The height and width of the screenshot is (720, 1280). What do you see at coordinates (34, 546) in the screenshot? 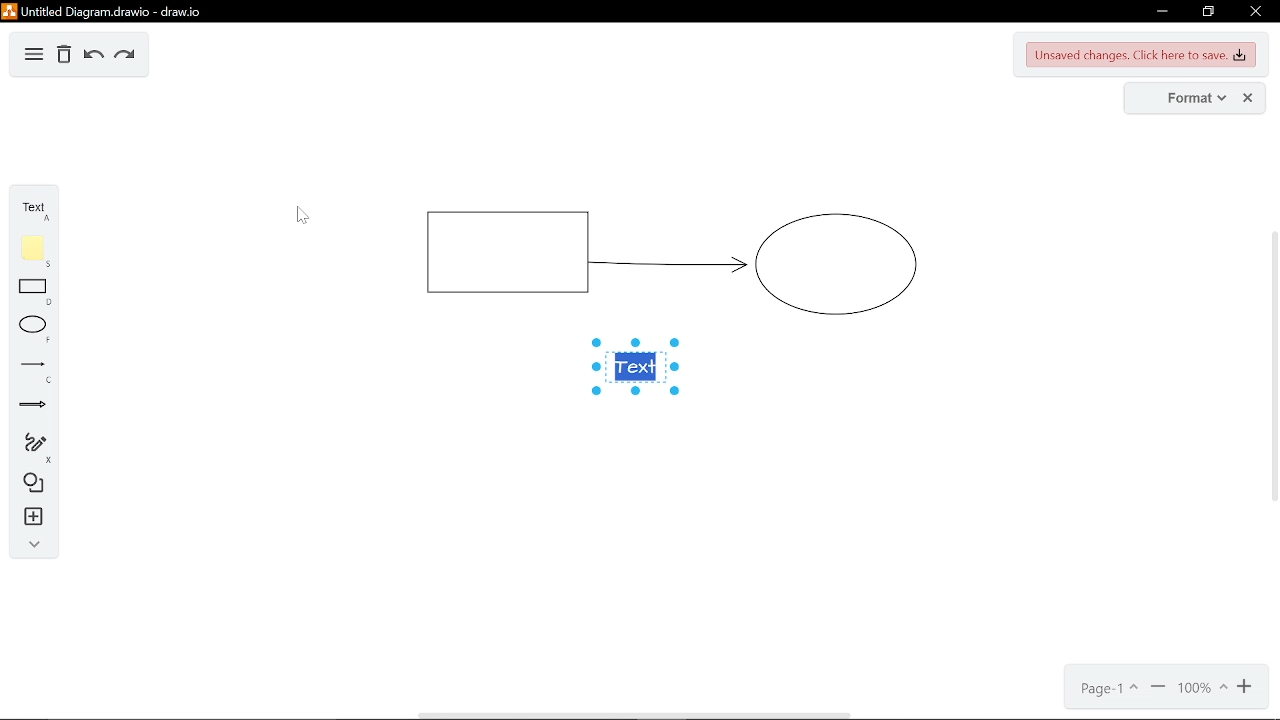
I see `collapse` at bounding box center [34, 546].